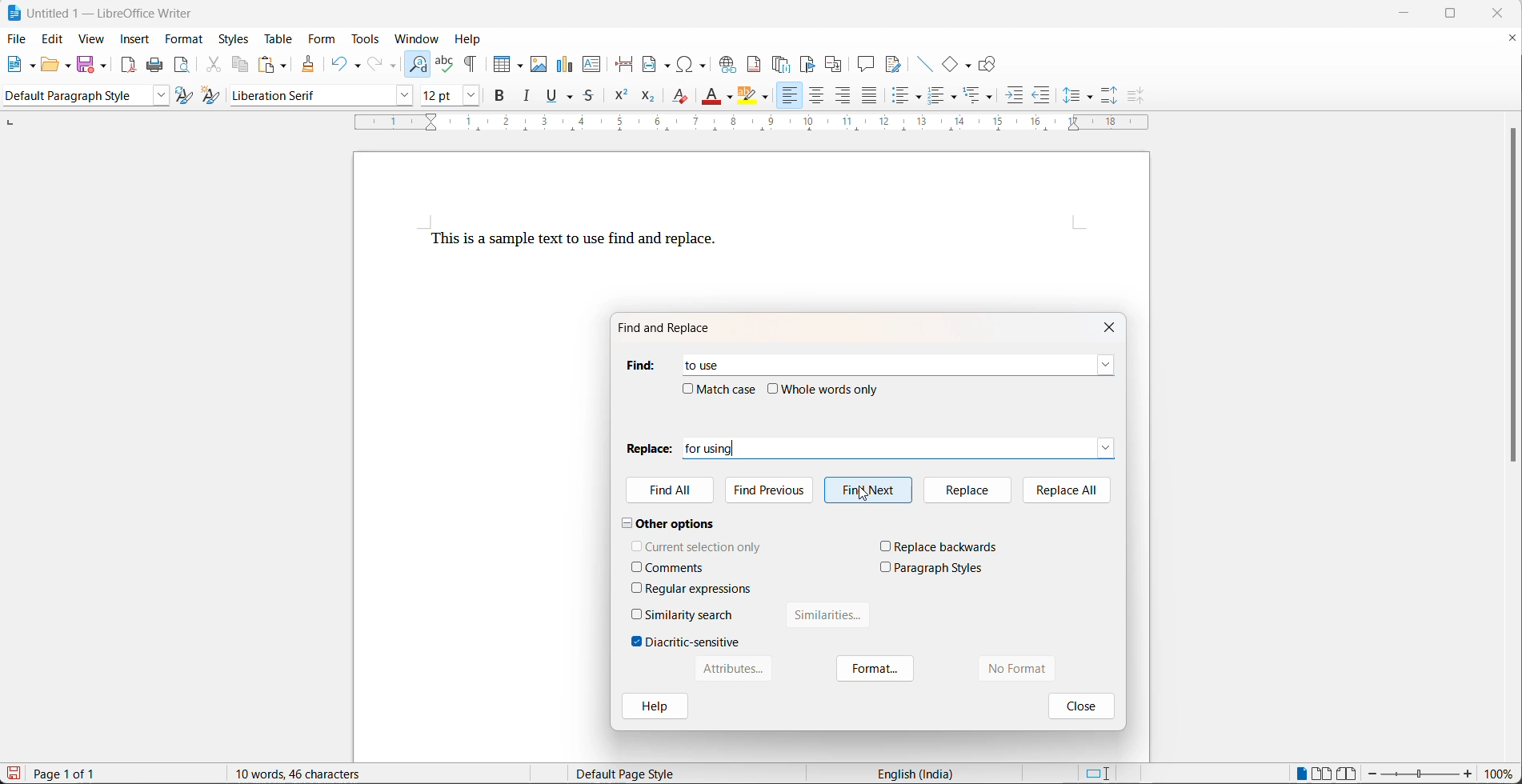 The height and width of the screenshot is (784, 1522). I want to click on open, so click(50, 66).